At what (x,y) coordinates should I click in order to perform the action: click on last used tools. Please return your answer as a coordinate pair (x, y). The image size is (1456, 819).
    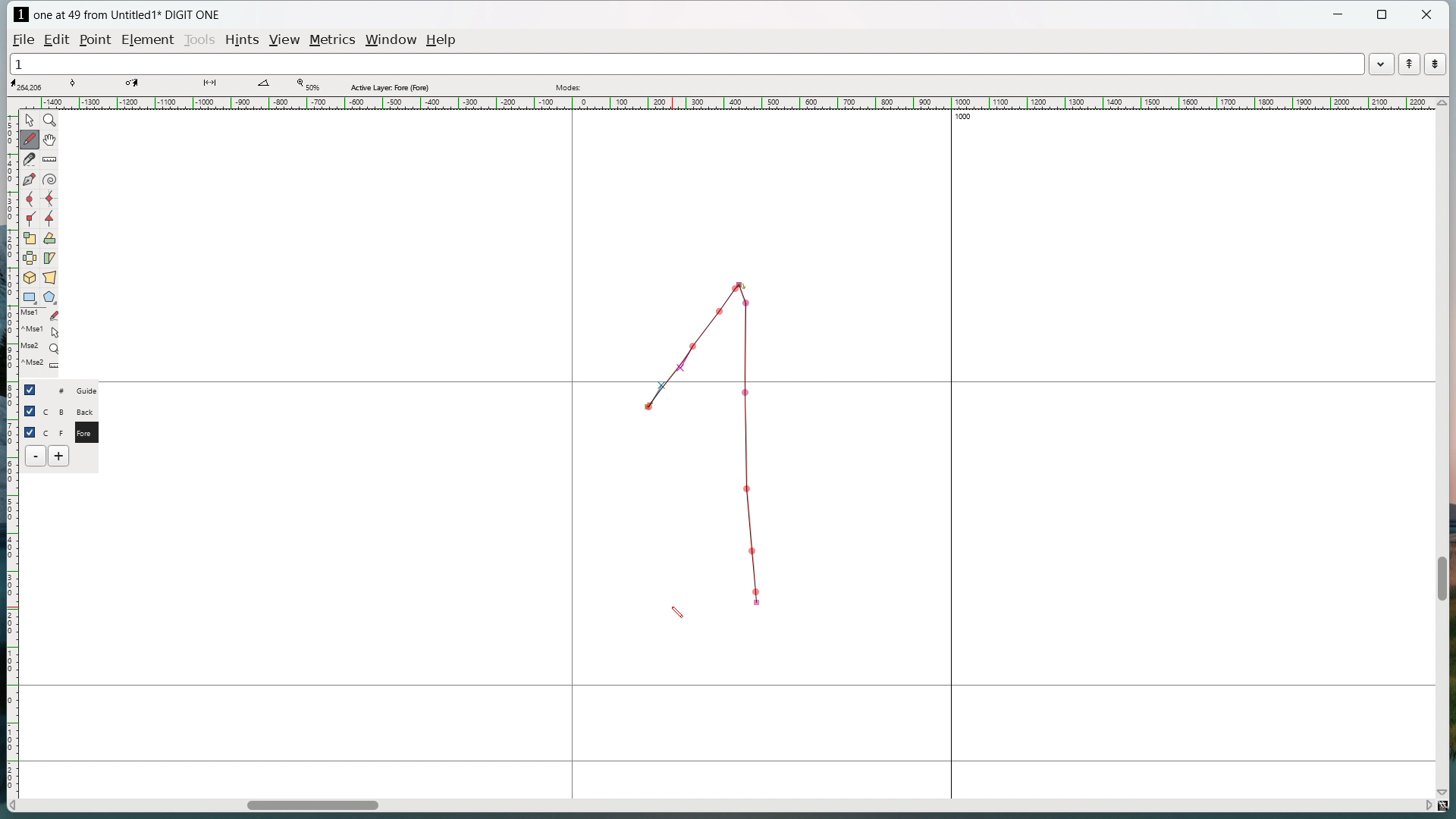
    Looking at the image, I should click on (39, 343).